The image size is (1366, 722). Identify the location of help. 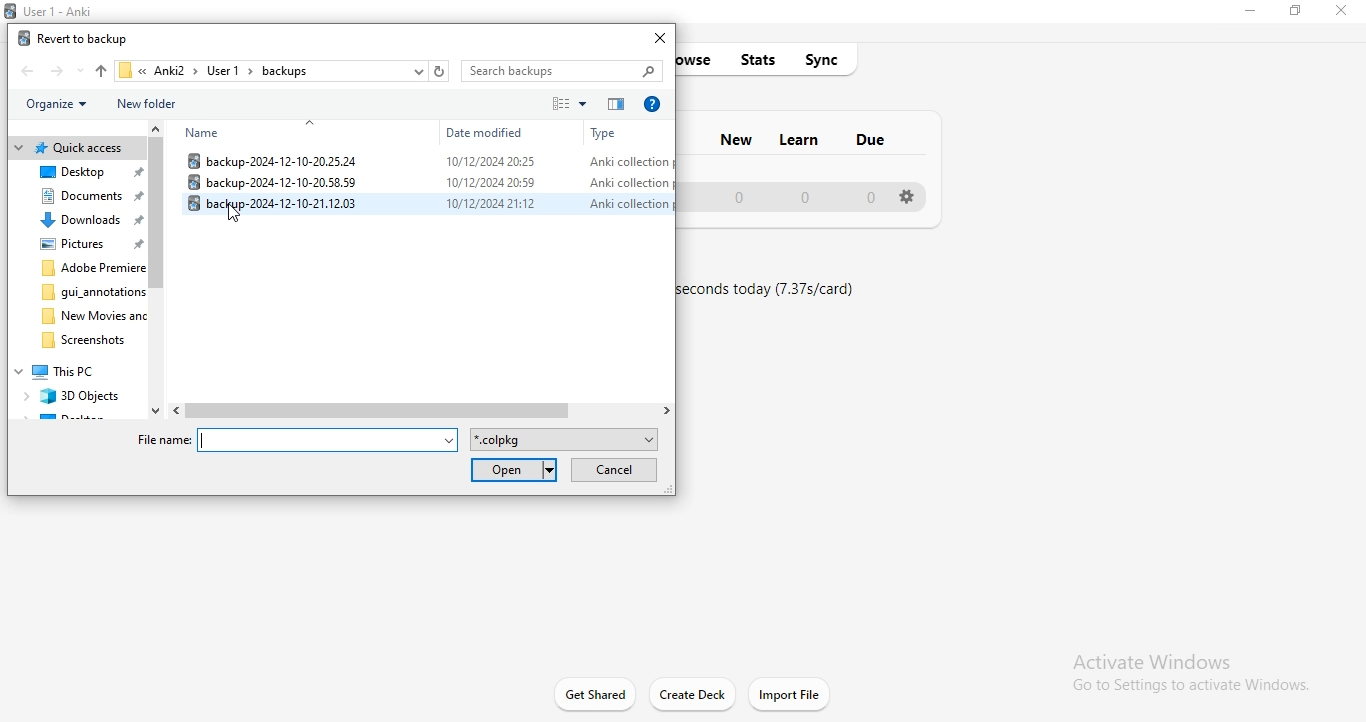
(652, 105).